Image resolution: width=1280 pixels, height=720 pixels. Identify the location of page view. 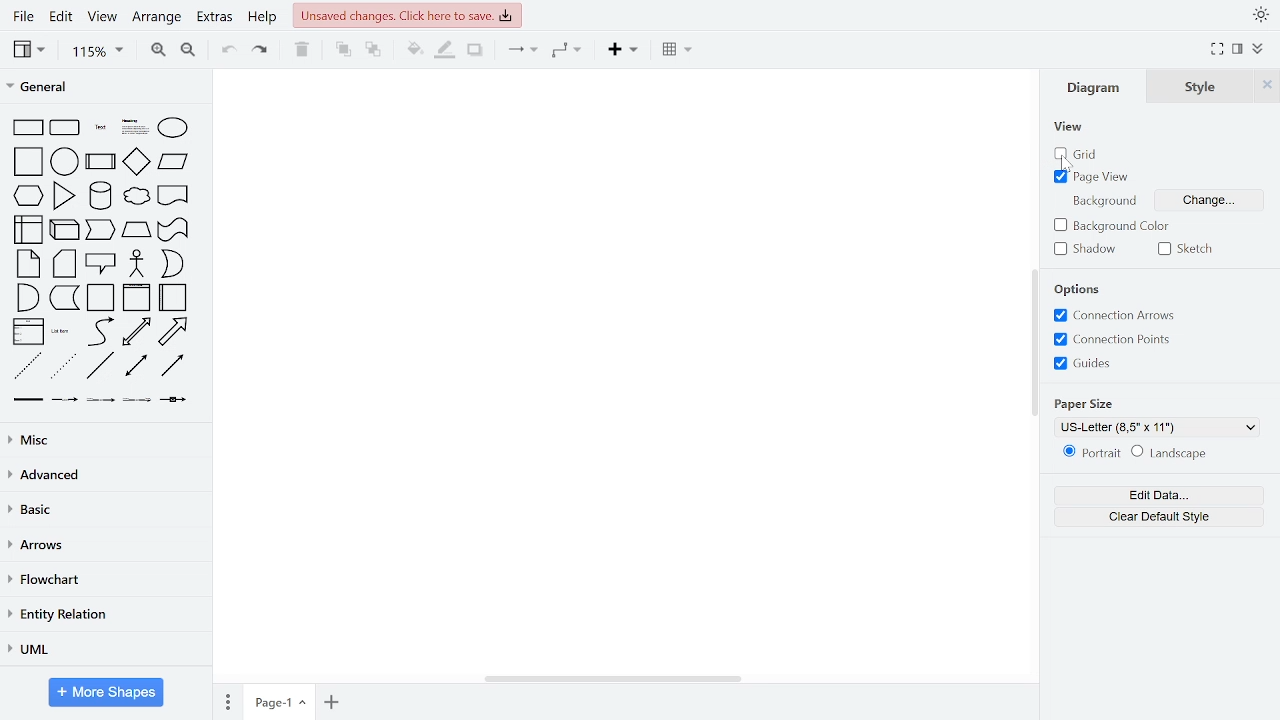
(1092, 176).